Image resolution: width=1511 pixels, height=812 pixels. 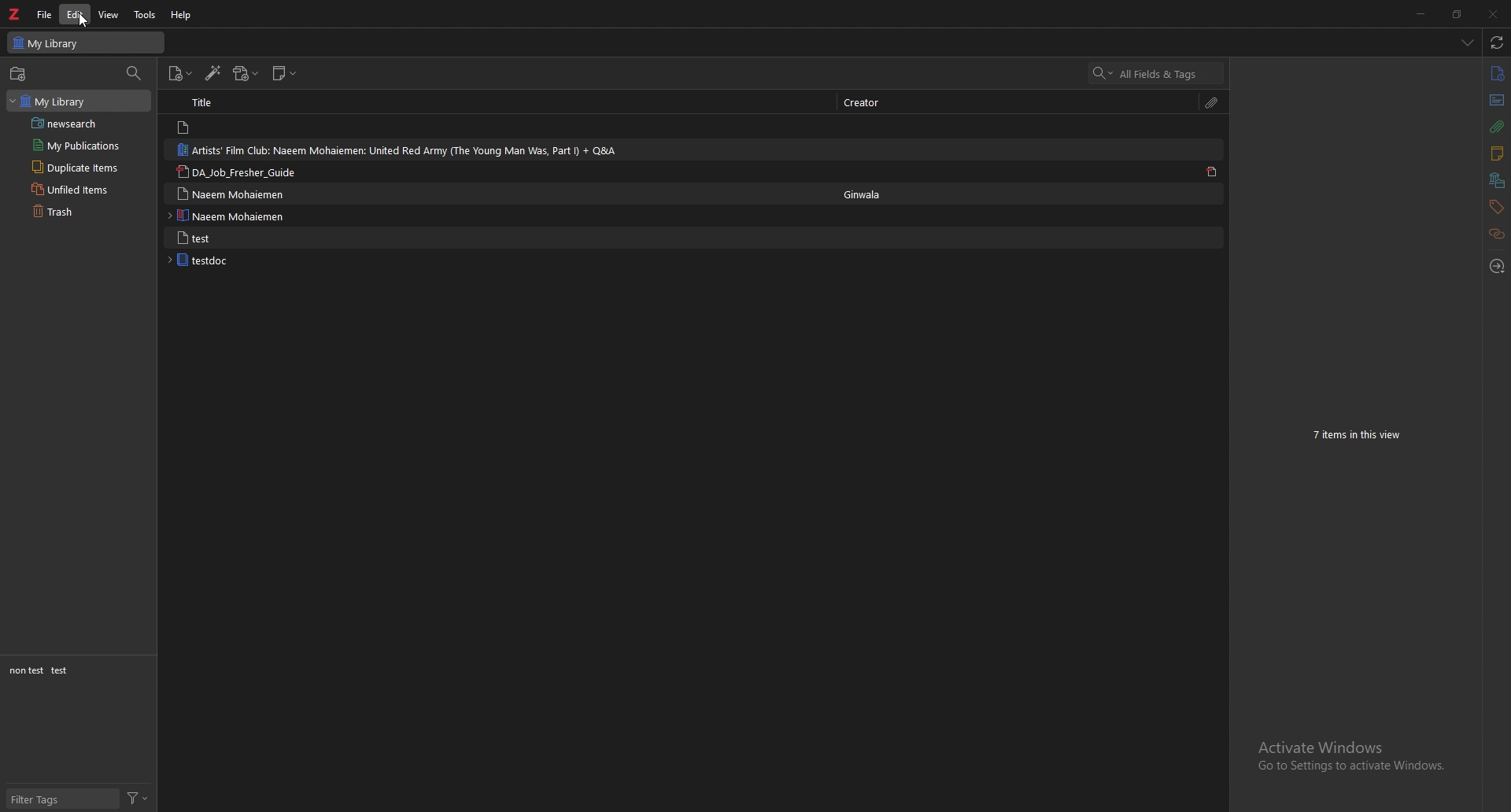 What do you see at coordinates (84, 124) in the screenshot?
I see `saved search` at bounding box center [84, 124].